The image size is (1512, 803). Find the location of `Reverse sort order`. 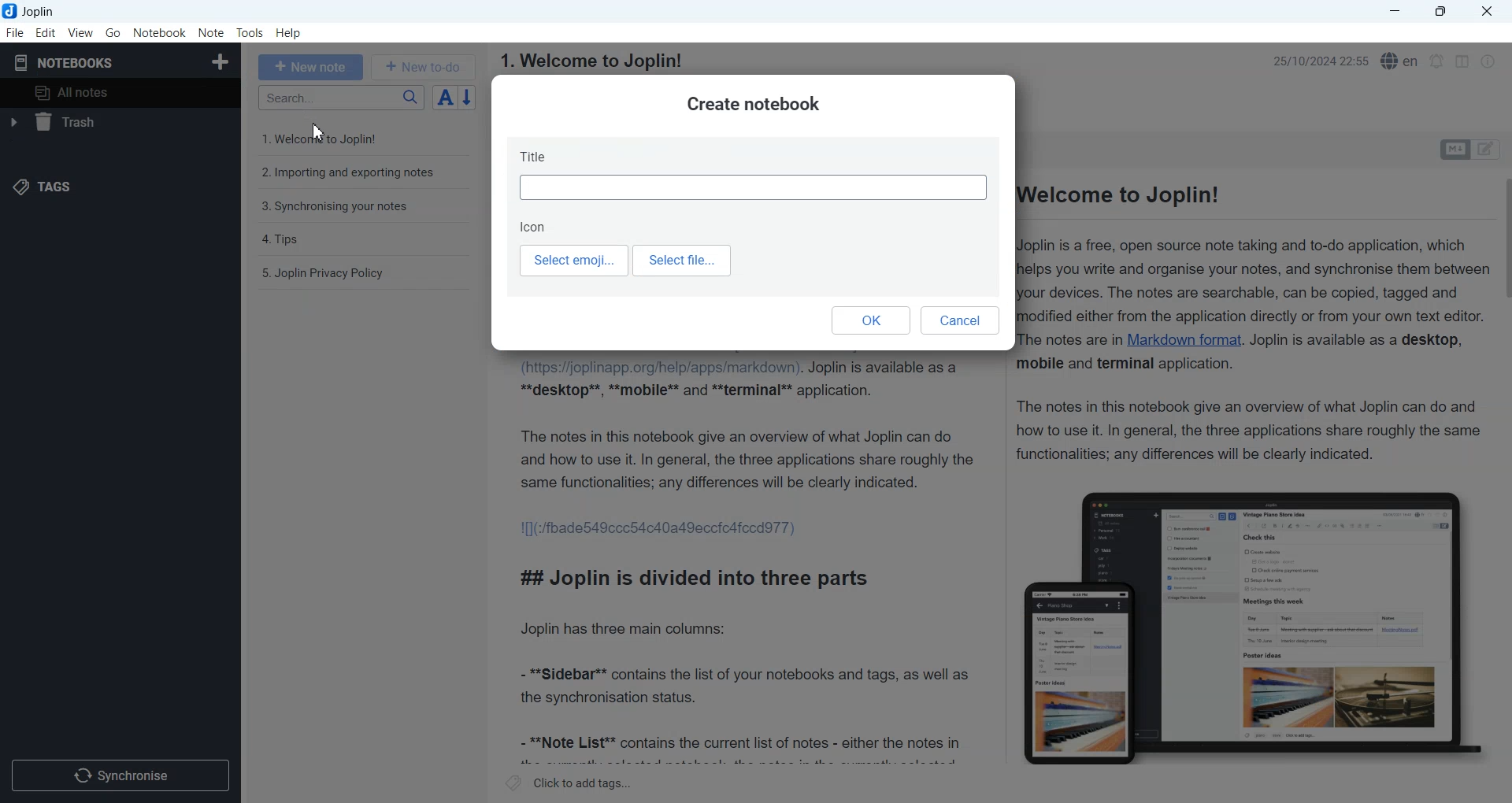

Reverse sort order is located at coordinates (469, 98).